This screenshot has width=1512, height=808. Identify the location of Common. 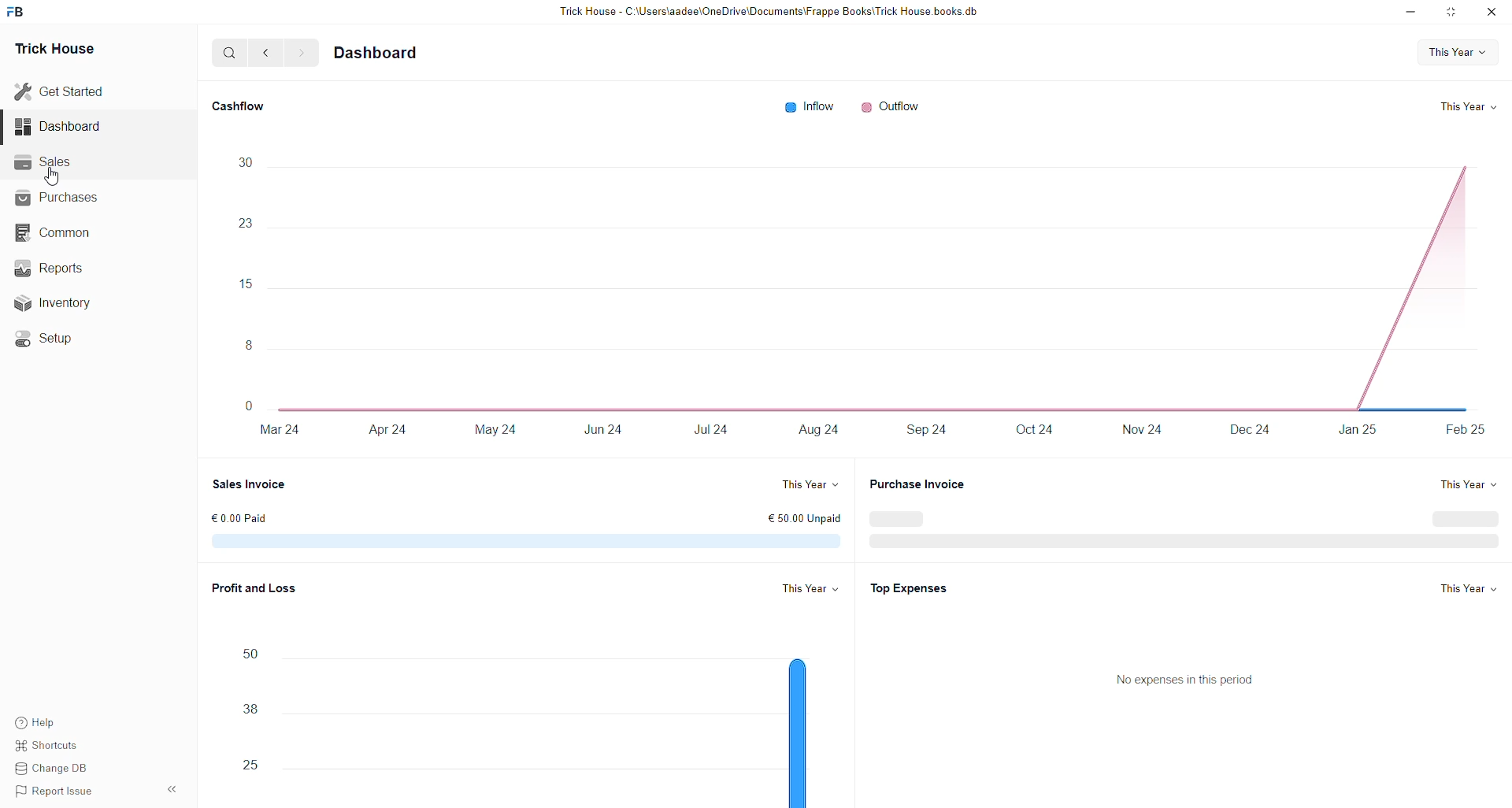
(54, 232).